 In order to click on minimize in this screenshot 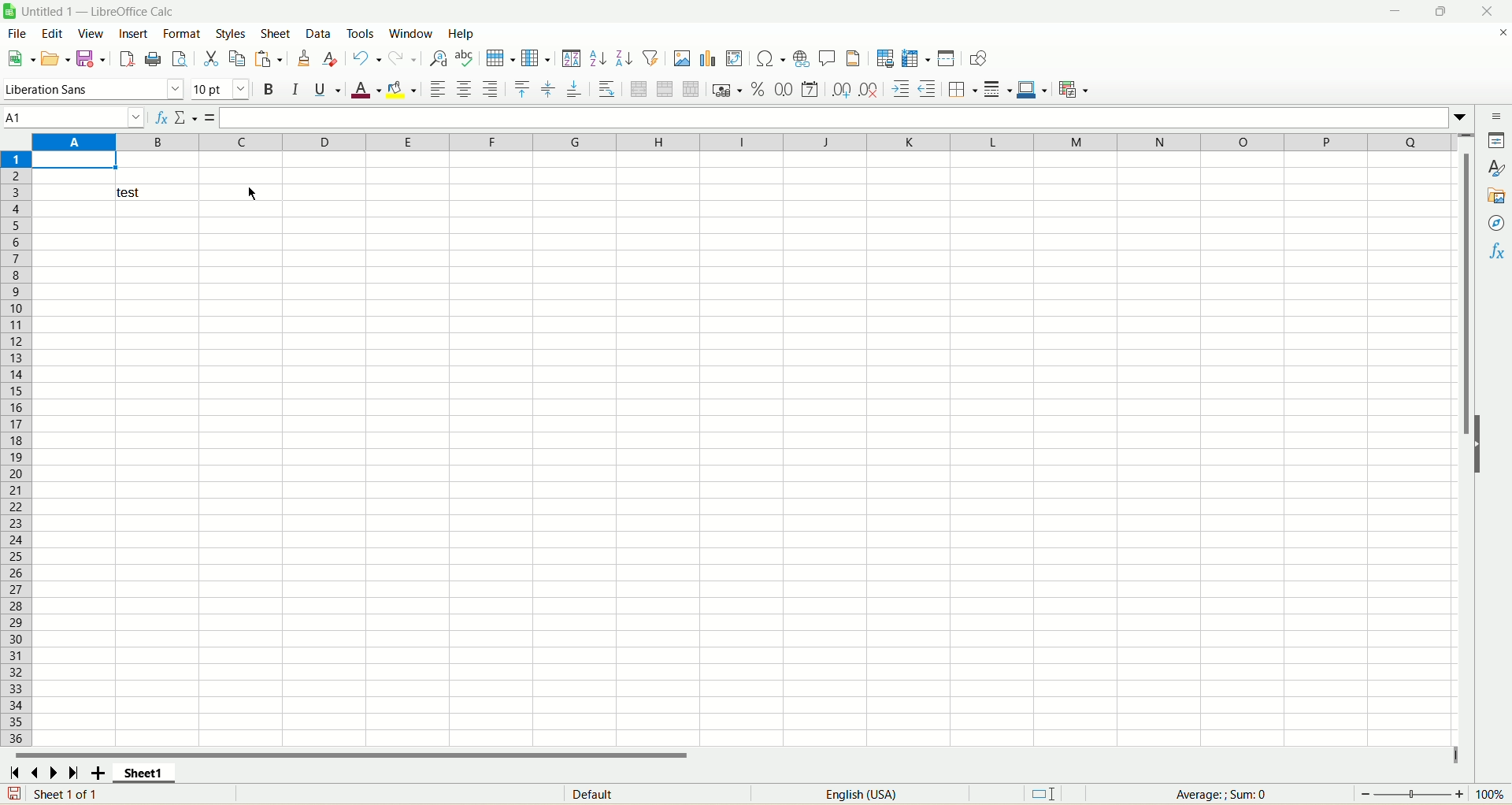, I will do `click(1395, 11)`.